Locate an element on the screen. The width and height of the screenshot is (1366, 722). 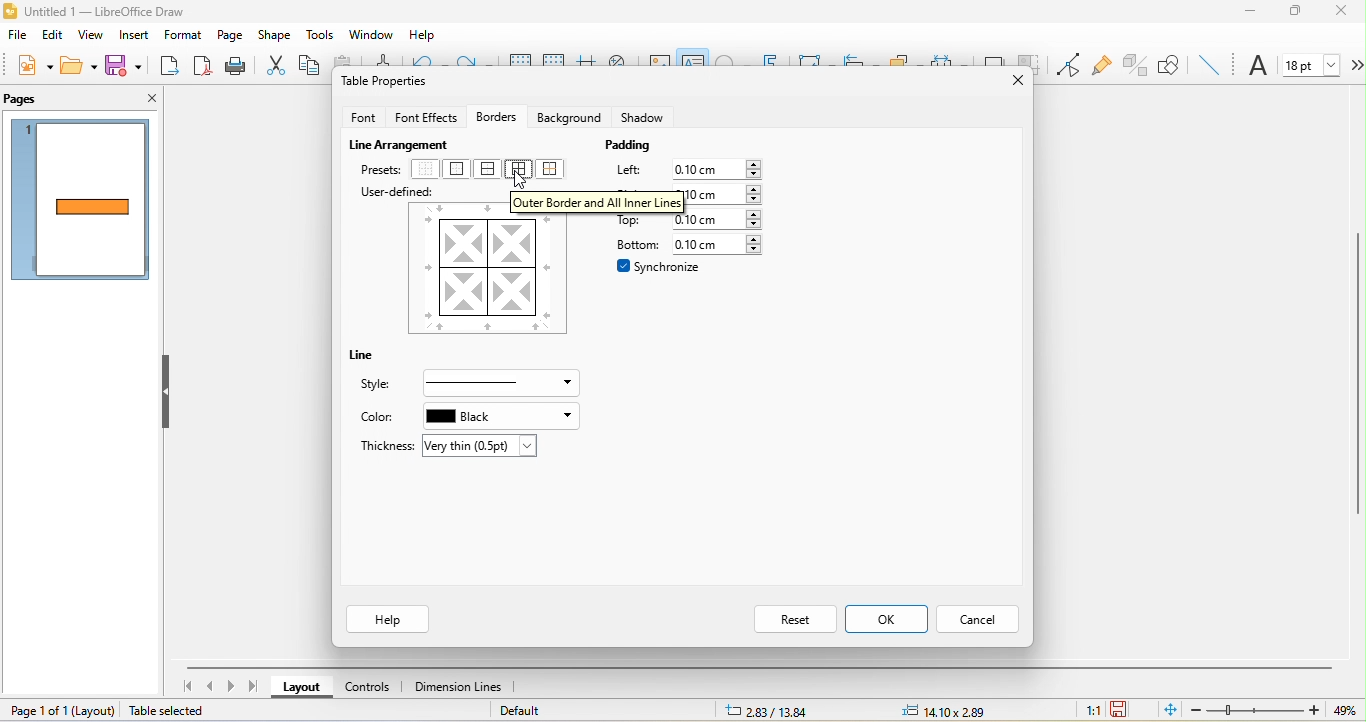
select outer border and all inner line is located at coordinates (518, 174).